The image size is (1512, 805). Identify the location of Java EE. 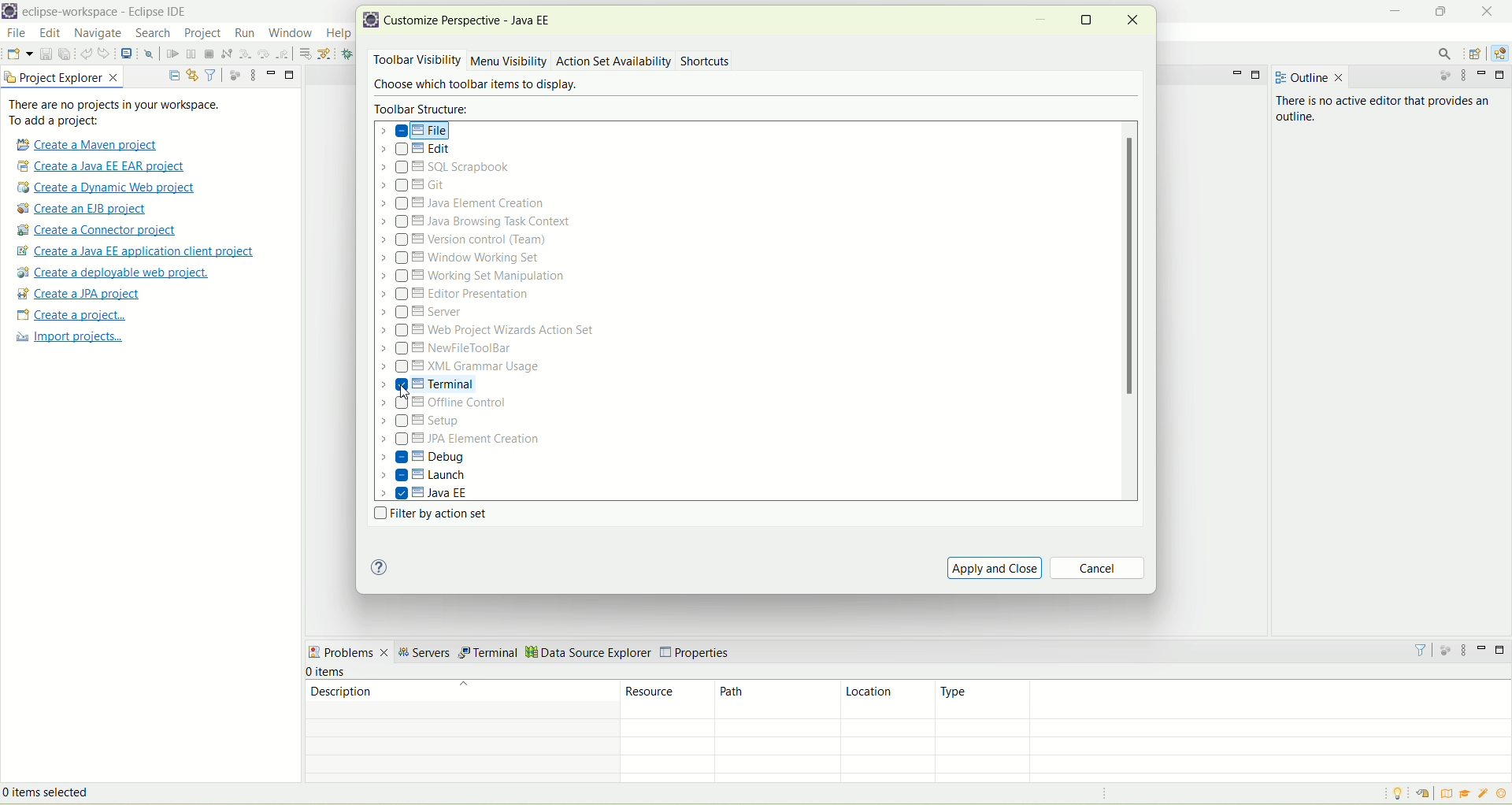
(426, 493).